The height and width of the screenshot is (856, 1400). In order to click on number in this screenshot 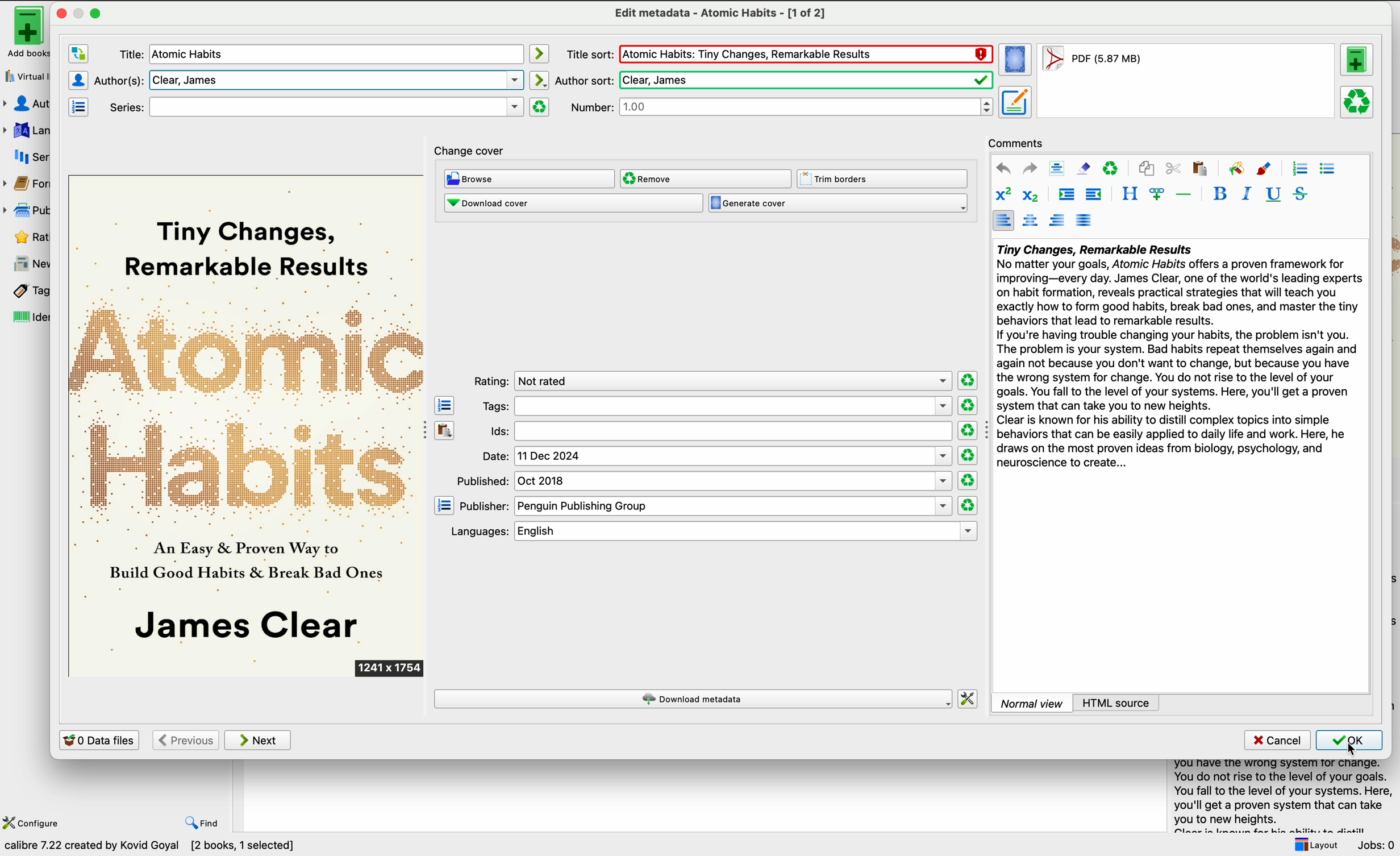, I will do `click(782, 107)`.